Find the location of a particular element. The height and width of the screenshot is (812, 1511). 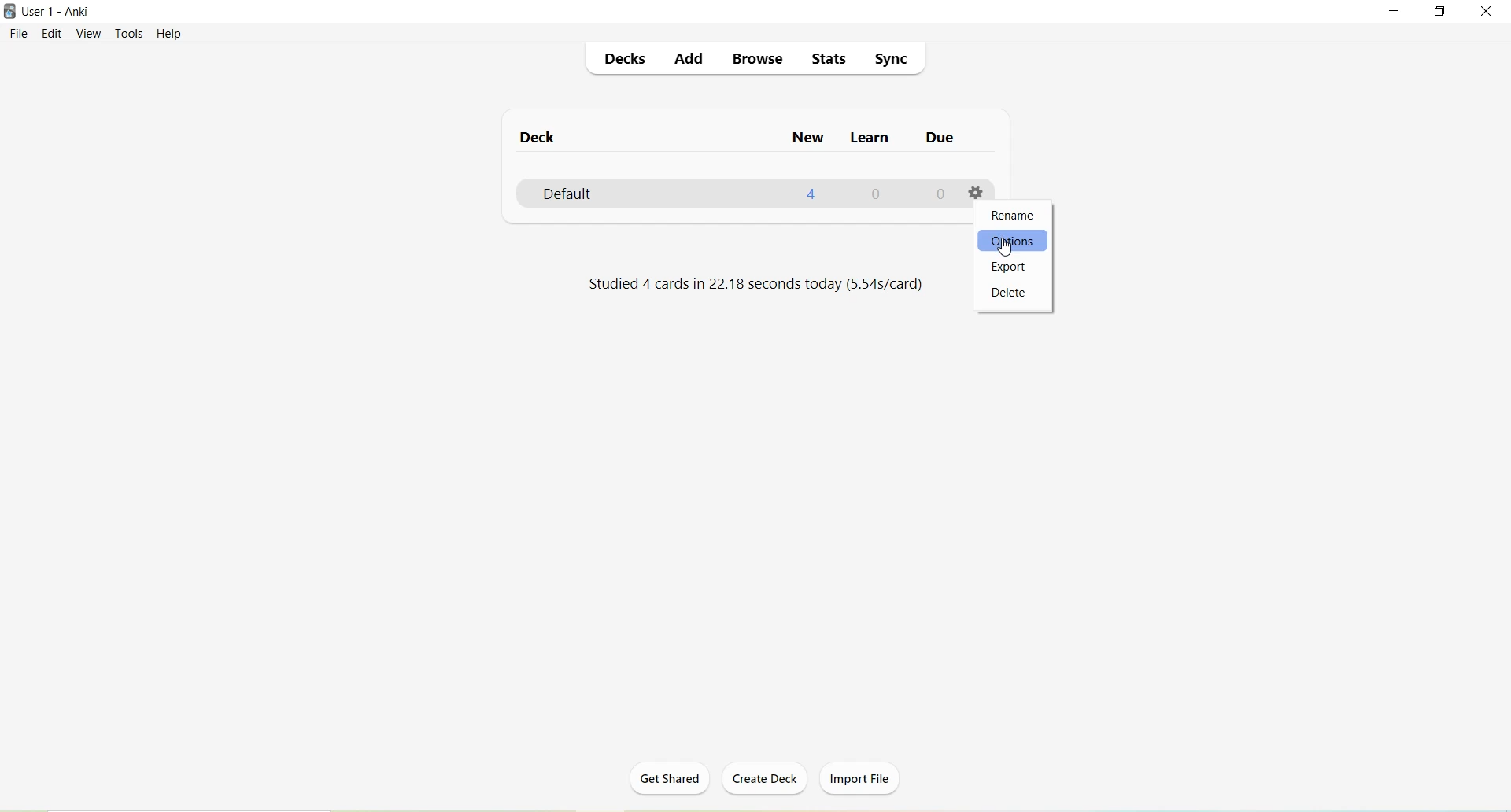

User 1 - Anki is located at coordinates (55, 11).